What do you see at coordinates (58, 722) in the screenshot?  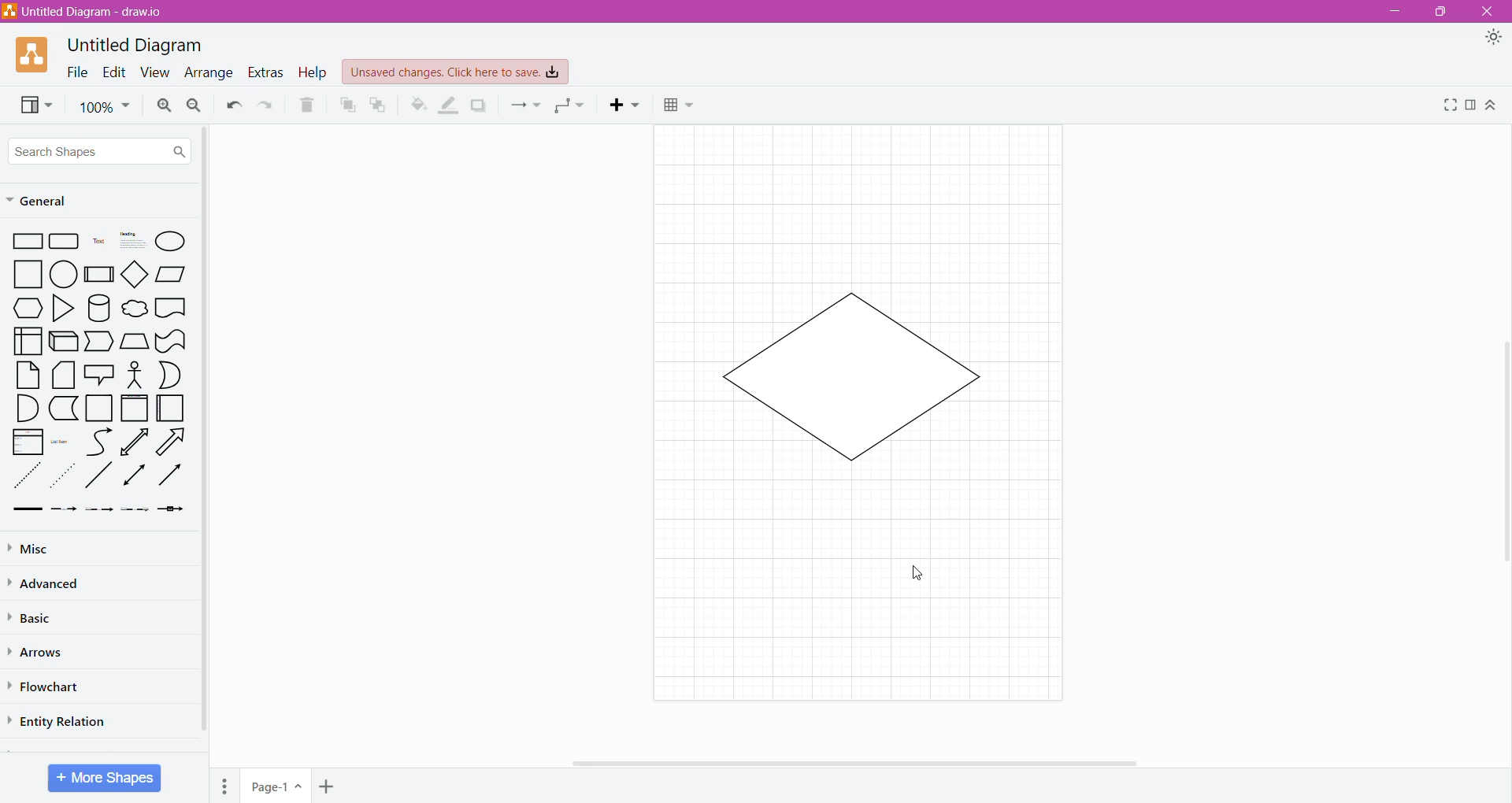 I see `Entity Relation` at bounding box center [58, 722].